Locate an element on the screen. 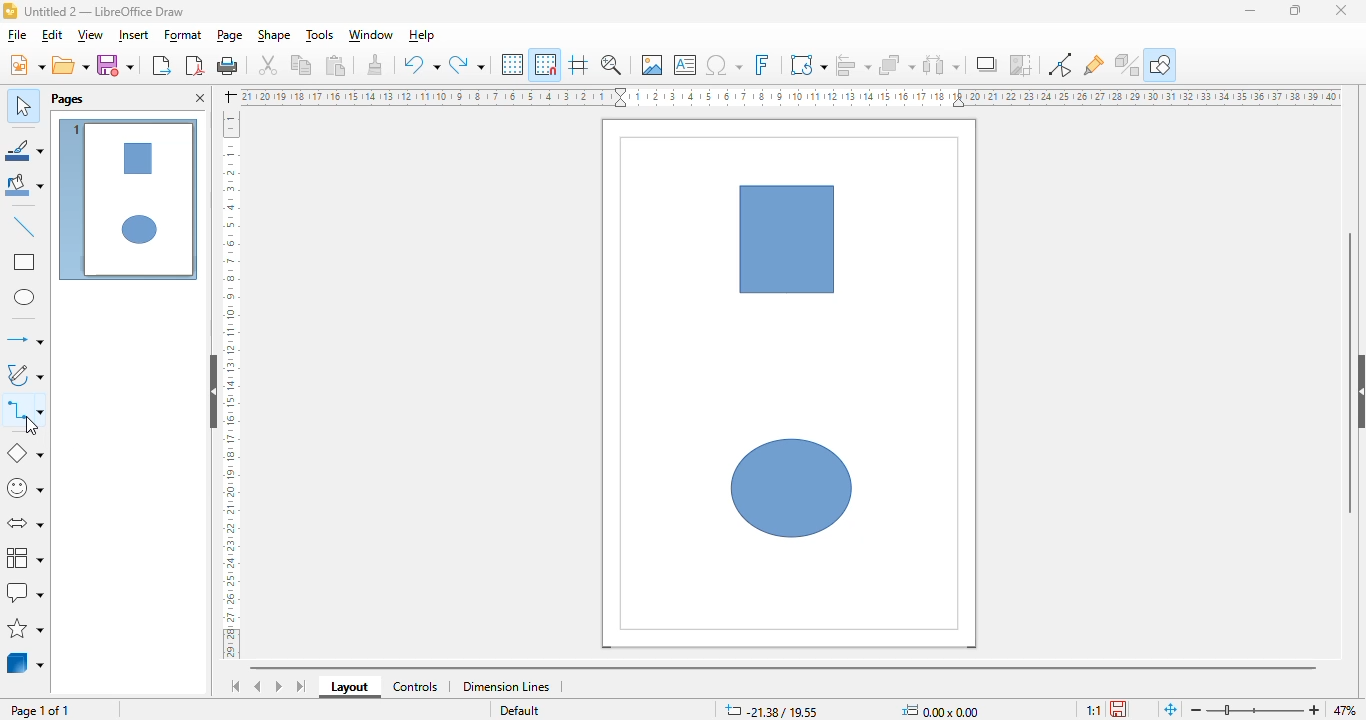 This screenshot has width=1366, height=720. rectangle is located at coordinates (25, 262).